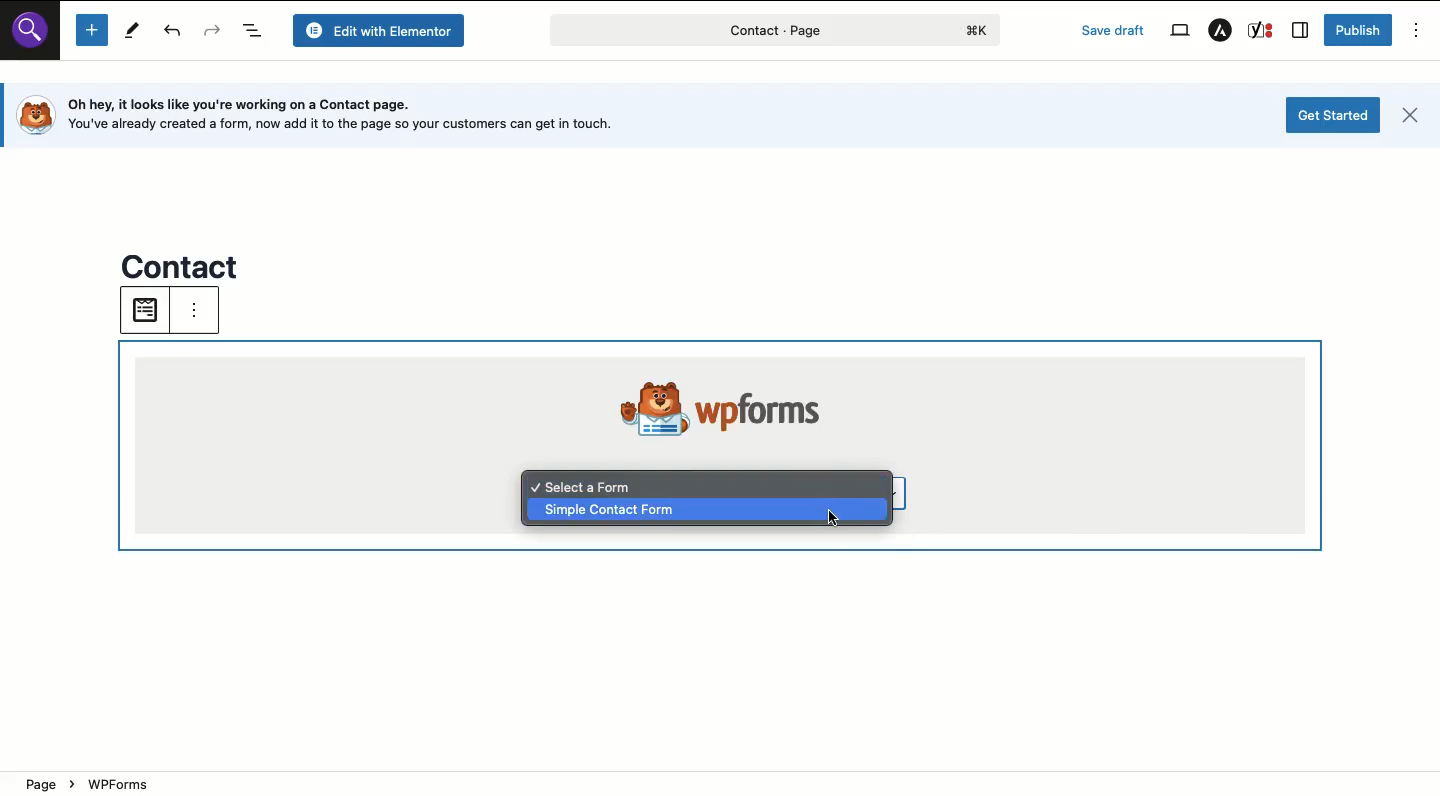 Image resolution: width=1440 pixels, height=796 pixels. I want to click on choose file, so click(143, 310).